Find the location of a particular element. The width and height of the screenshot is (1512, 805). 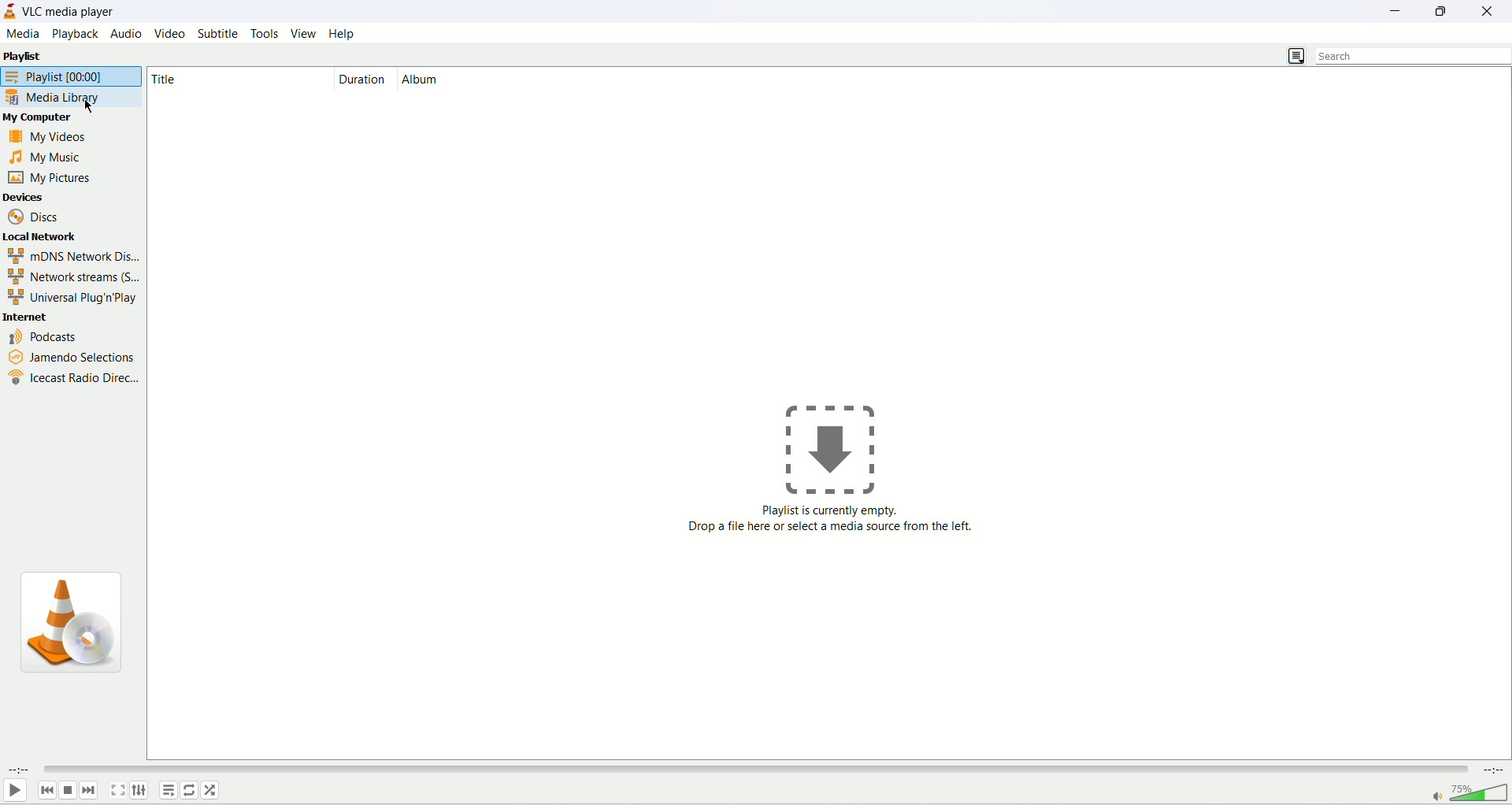

stop is located at coordinates (69, 791).